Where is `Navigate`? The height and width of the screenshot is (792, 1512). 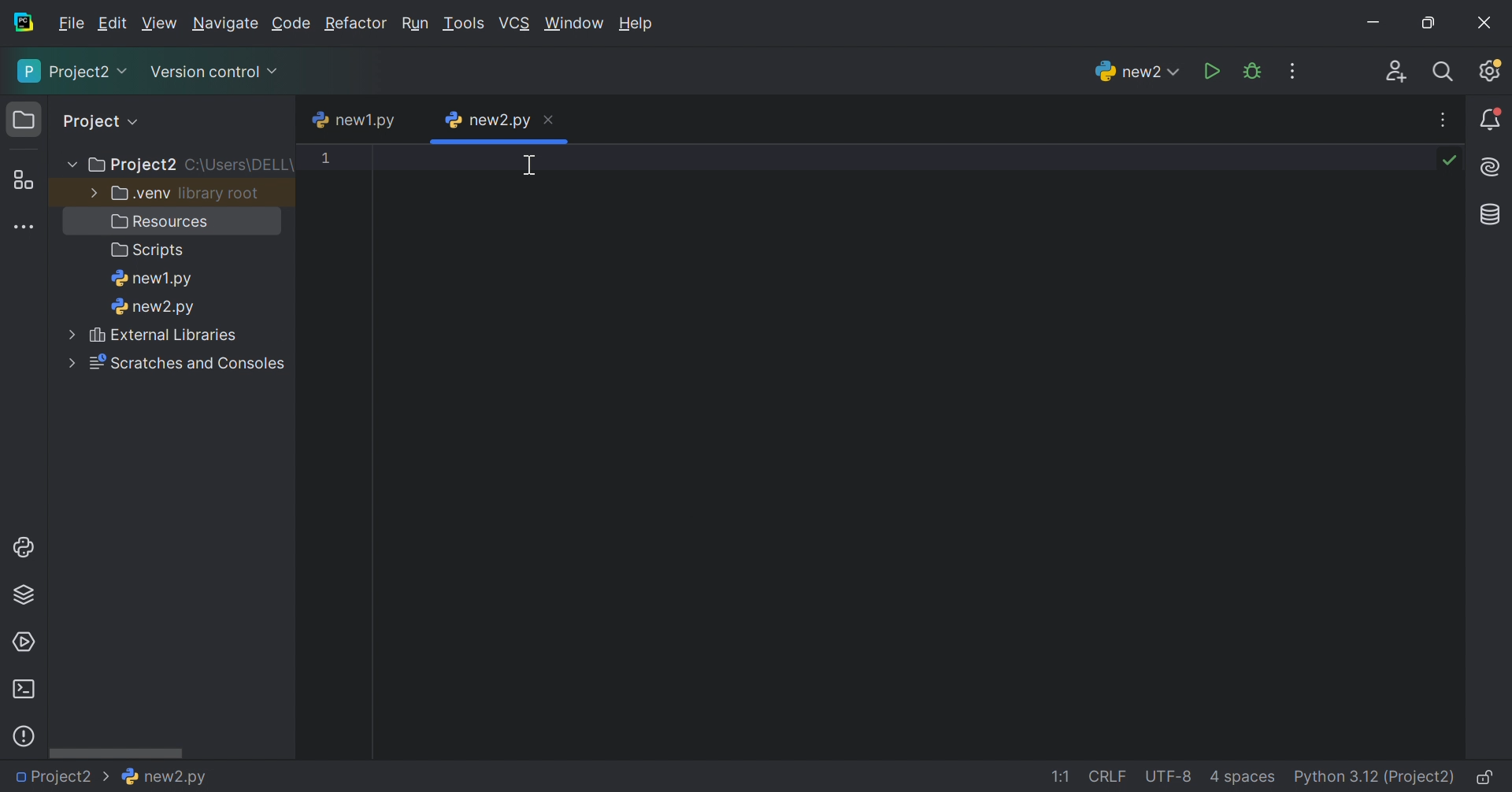 Navigate is located at coordinates (225, 23).